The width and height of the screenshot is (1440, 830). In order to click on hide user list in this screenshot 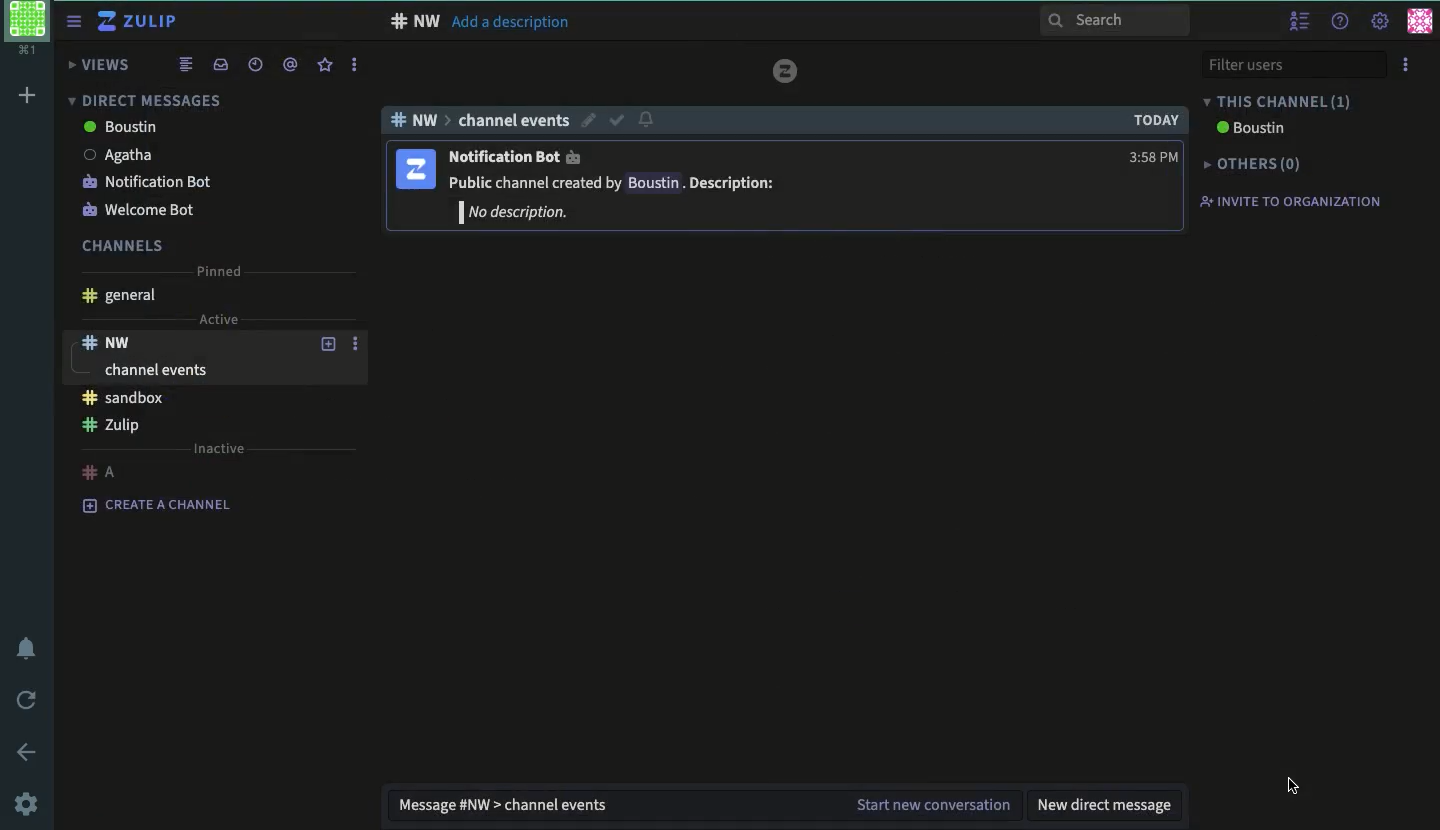, I will do `click(1298, 20)`.